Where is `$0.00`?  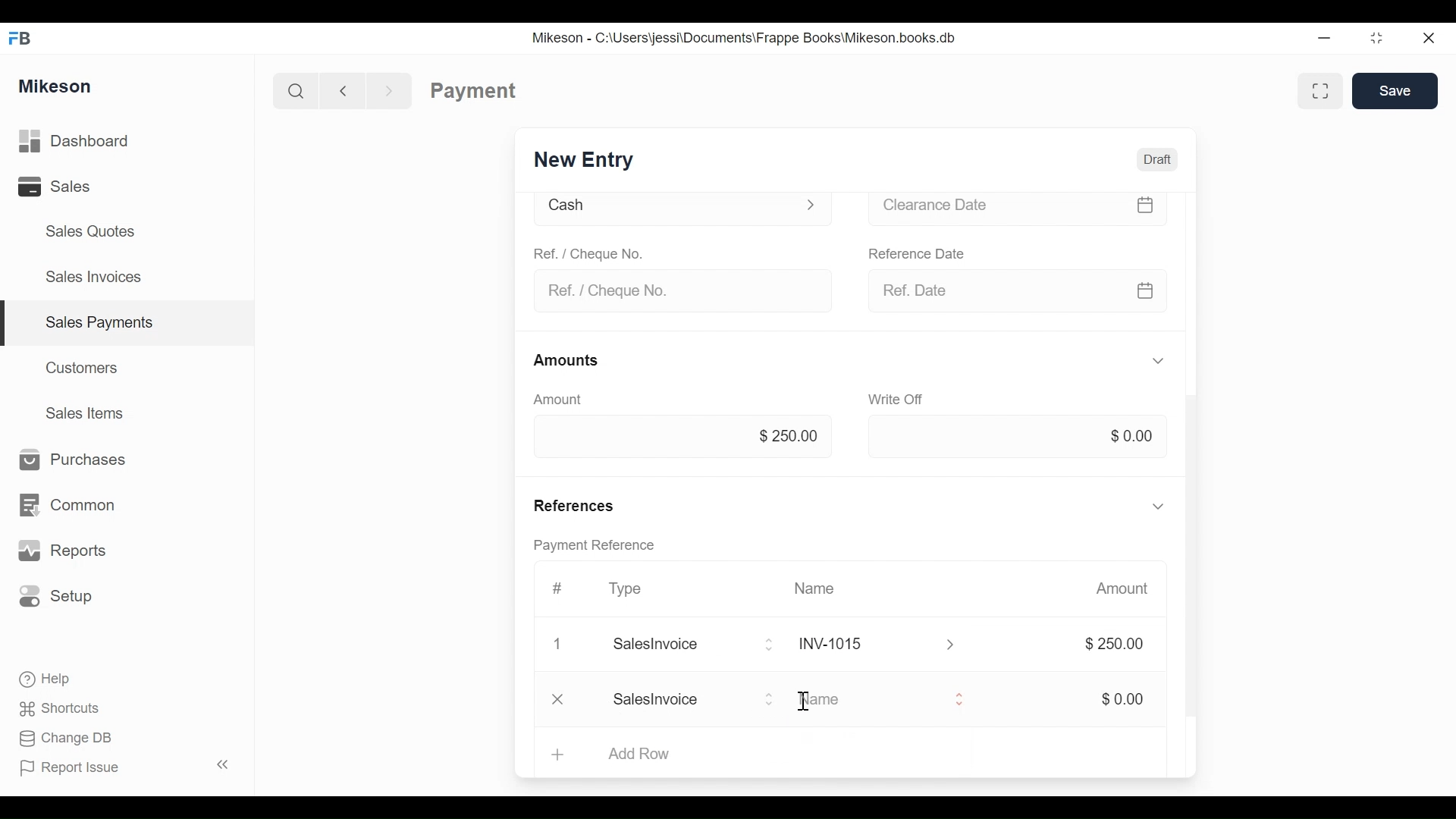 $0.00 is located at coordinates (1136, 435).